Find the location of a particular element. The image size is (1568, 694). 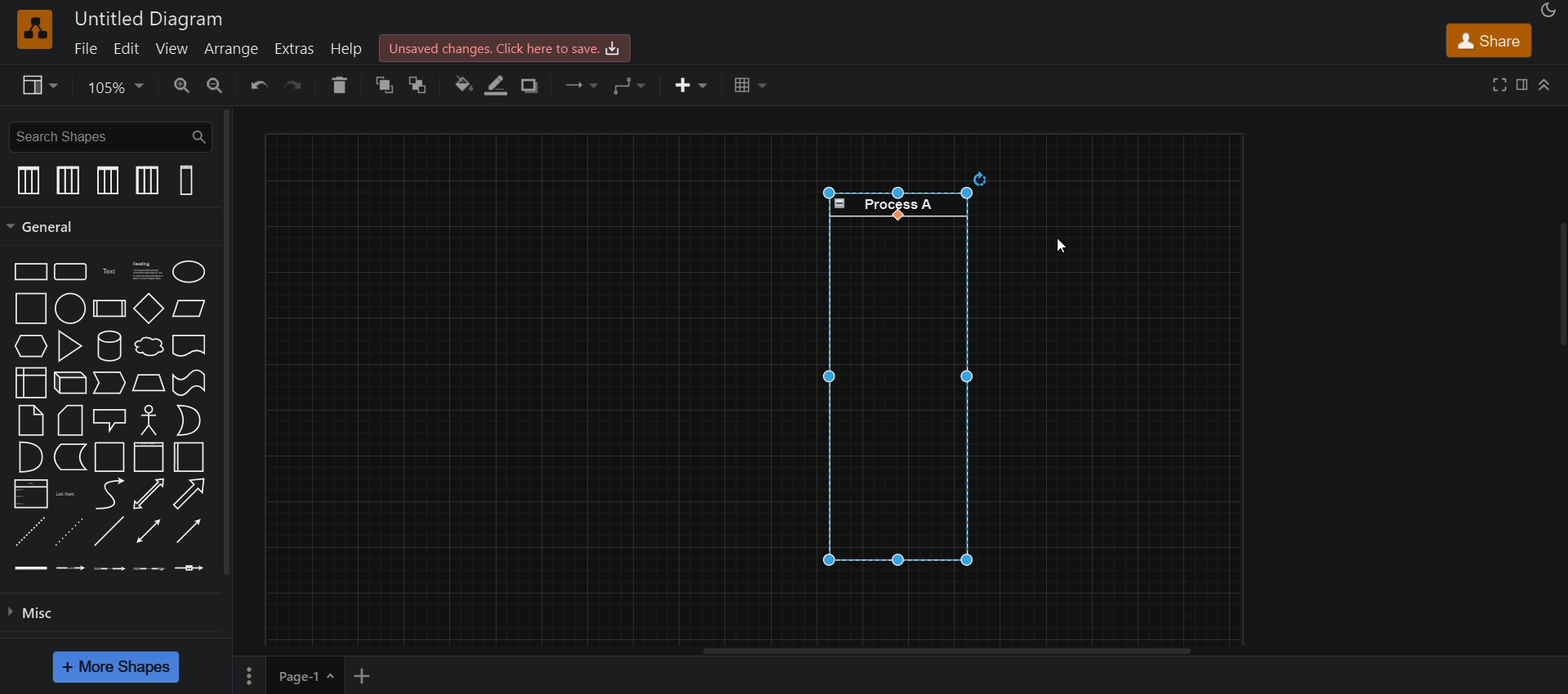

title is located at coordinates (145, 19).